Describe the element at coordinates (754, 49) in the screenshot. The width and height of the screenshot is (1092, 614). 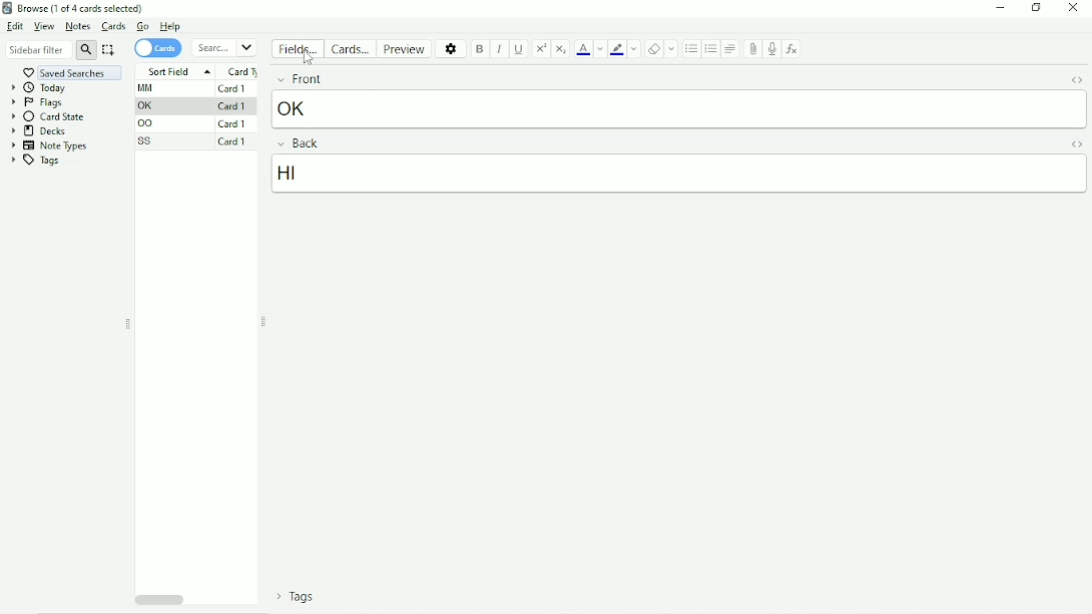
I see `Attach picture/audio/video` at that location.